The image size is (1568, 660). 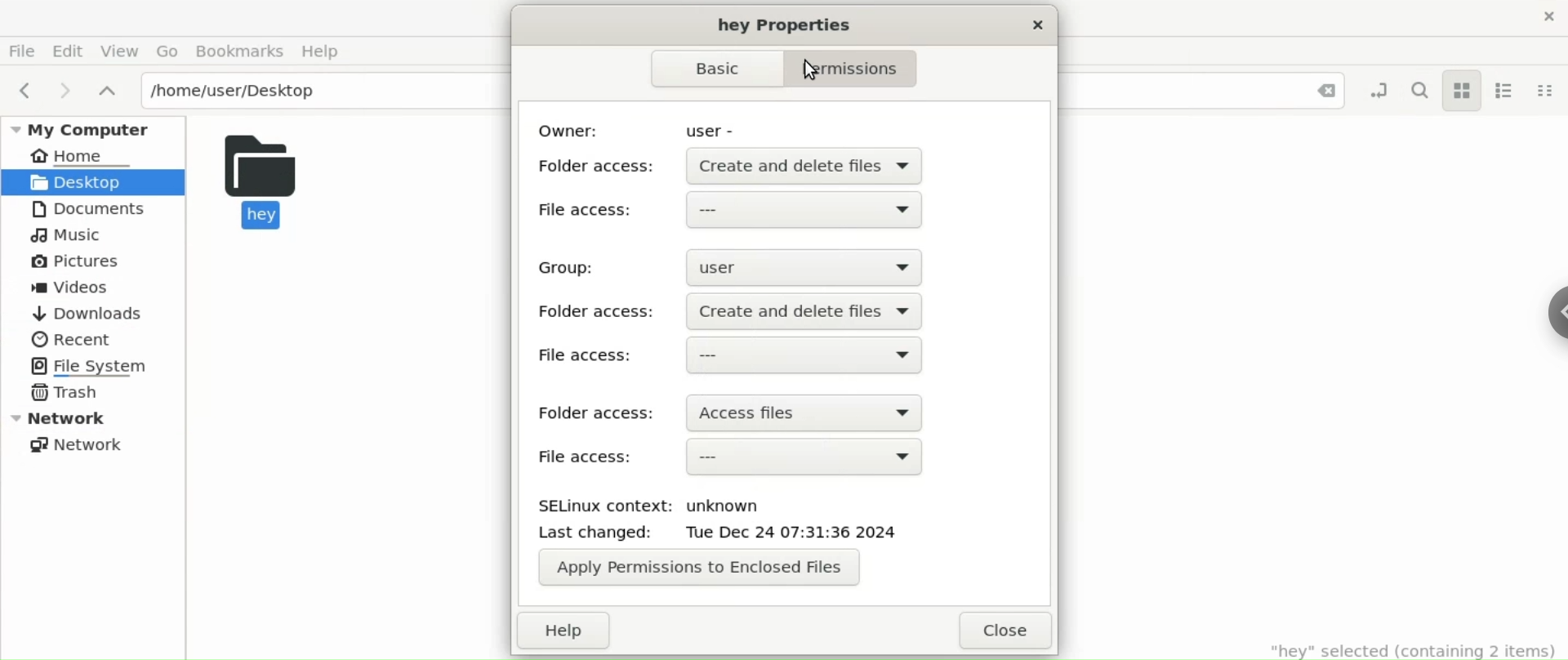 What do you see at coordinates (562, 267) in the screenshot?
I see `Group` at bounding box center [562, 267].